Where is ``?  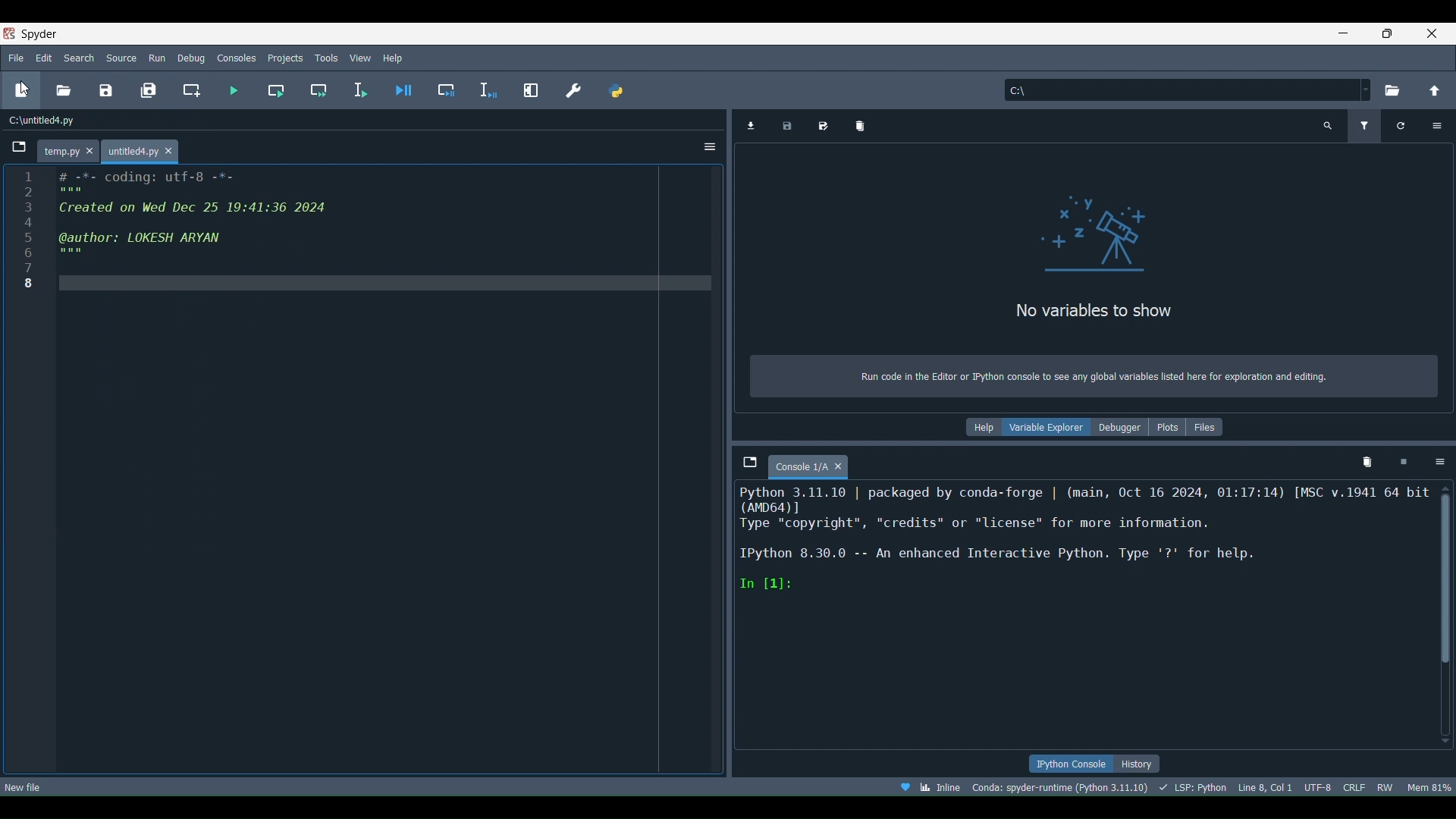  is located at coordinates (365, 474).